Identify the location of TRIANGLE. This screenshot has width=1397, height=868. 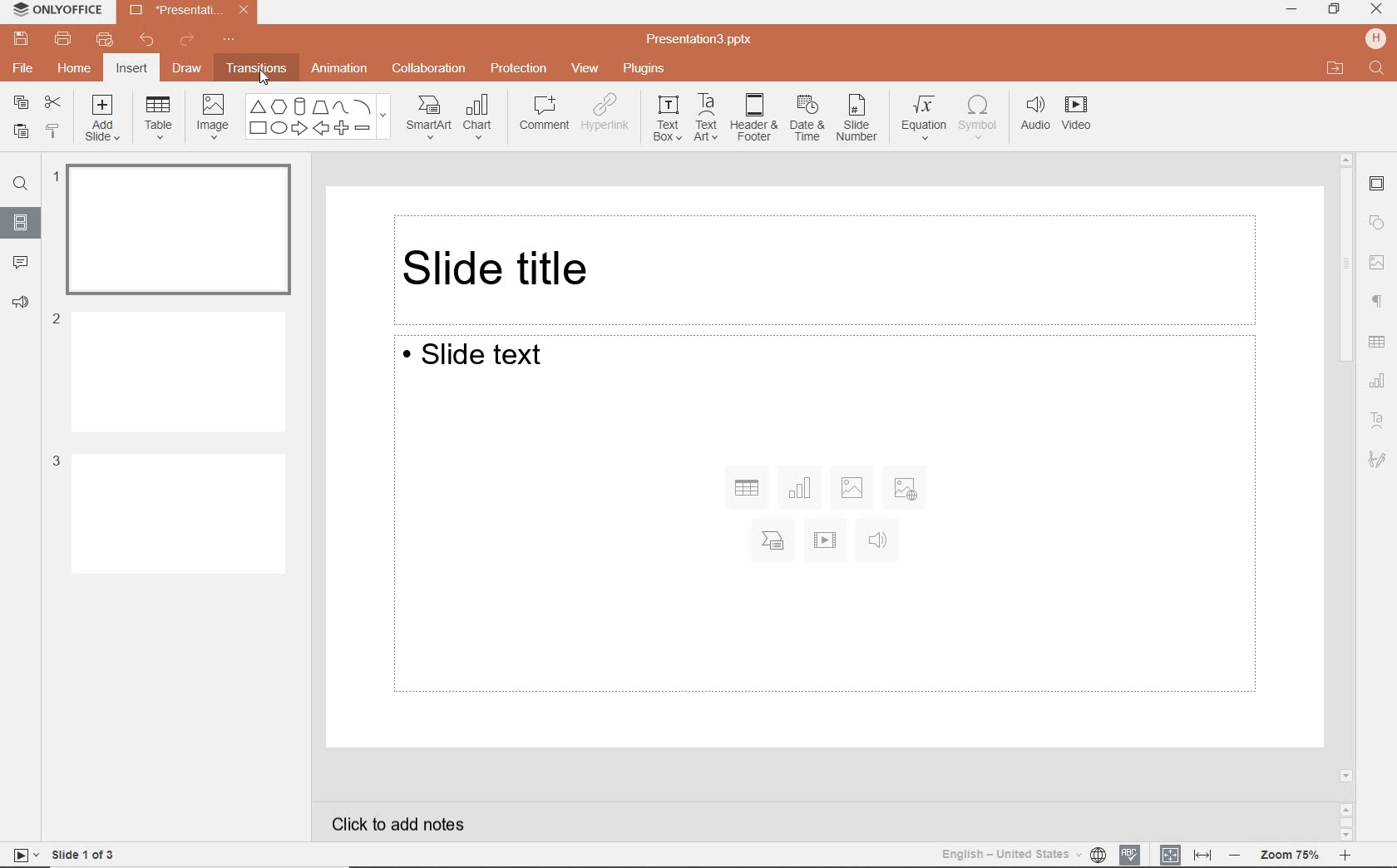
(255, 106).